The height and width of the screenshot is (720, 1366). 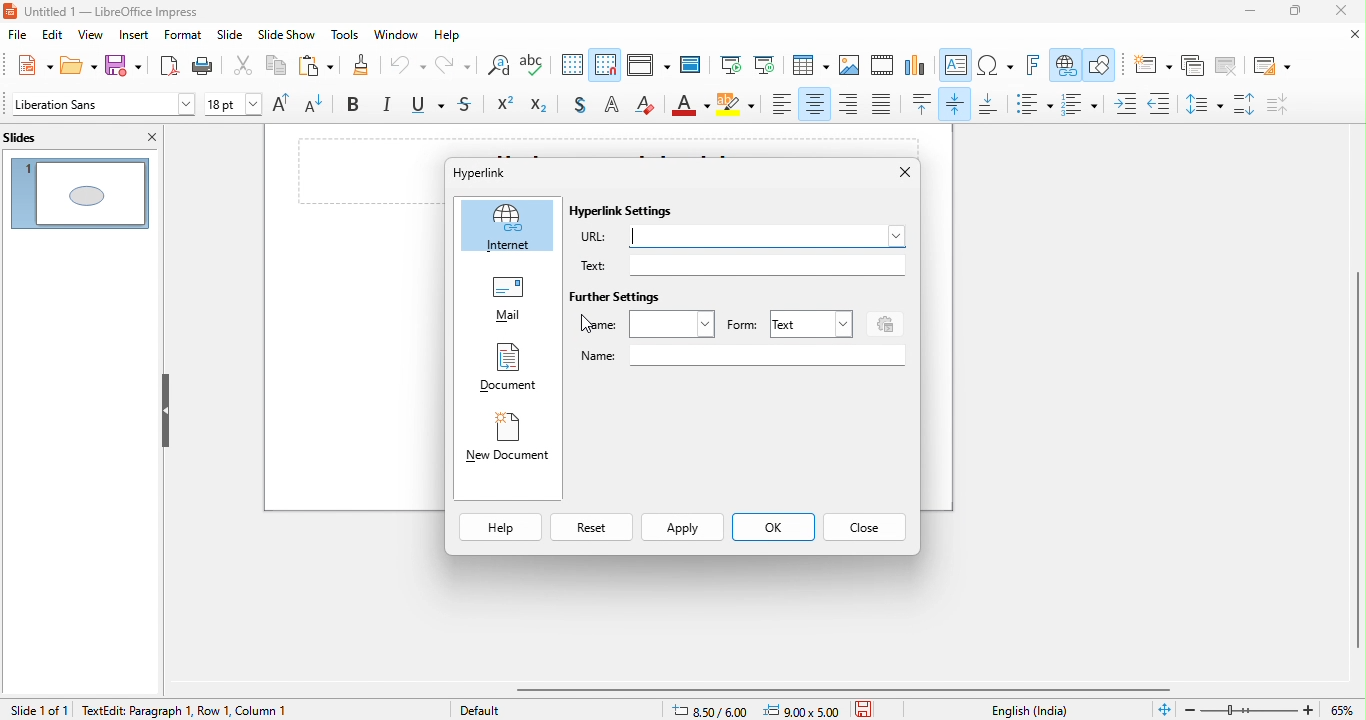 What do you see at coordinates (742, 326) in the screenshot?
I see `form` at bounding box center [742, 326].